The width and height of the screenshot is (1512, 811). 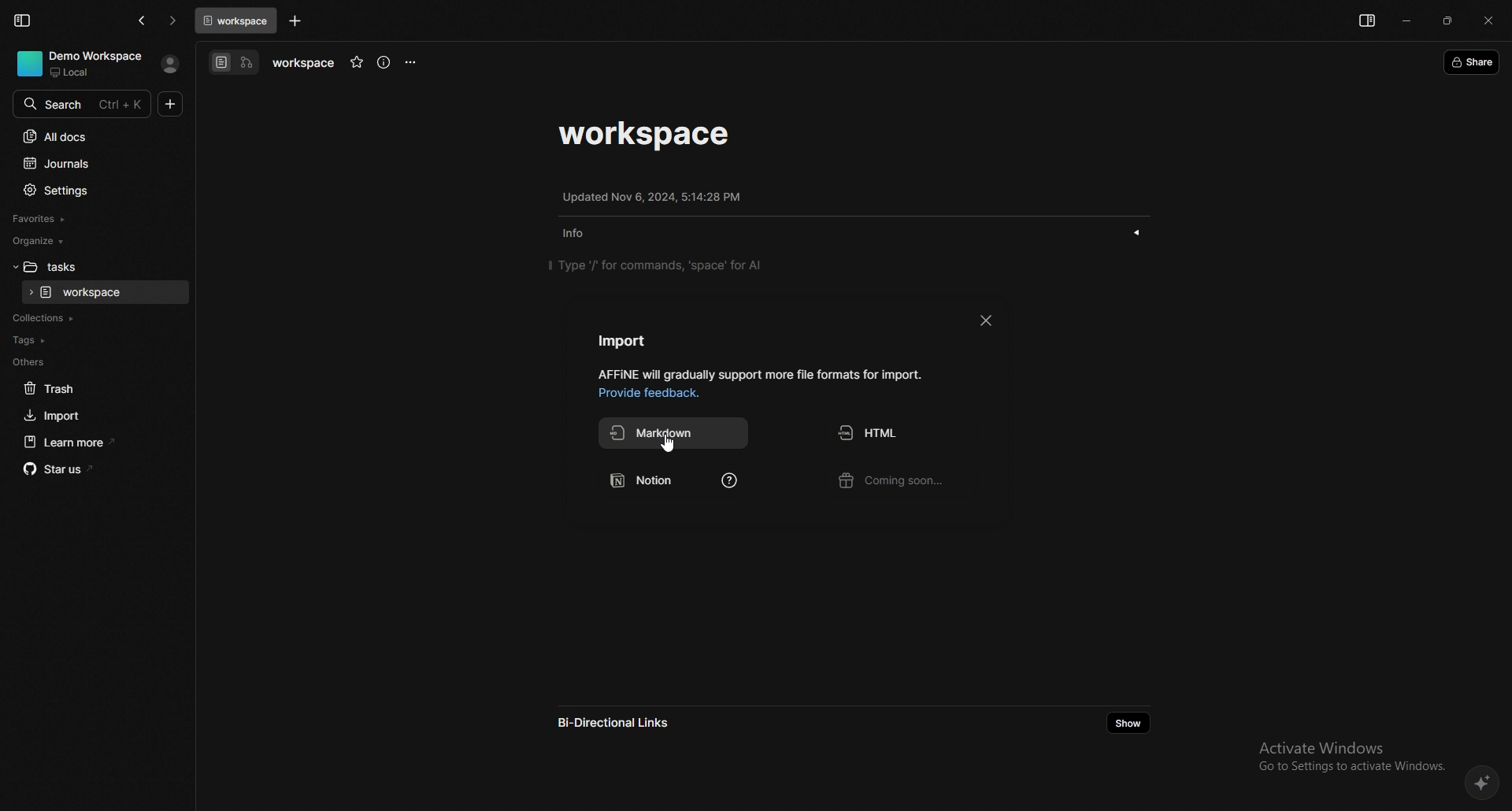 What do you see at coordinates (384, 63) in the screenshot?
I see `info` at bounding box center [384, 63].